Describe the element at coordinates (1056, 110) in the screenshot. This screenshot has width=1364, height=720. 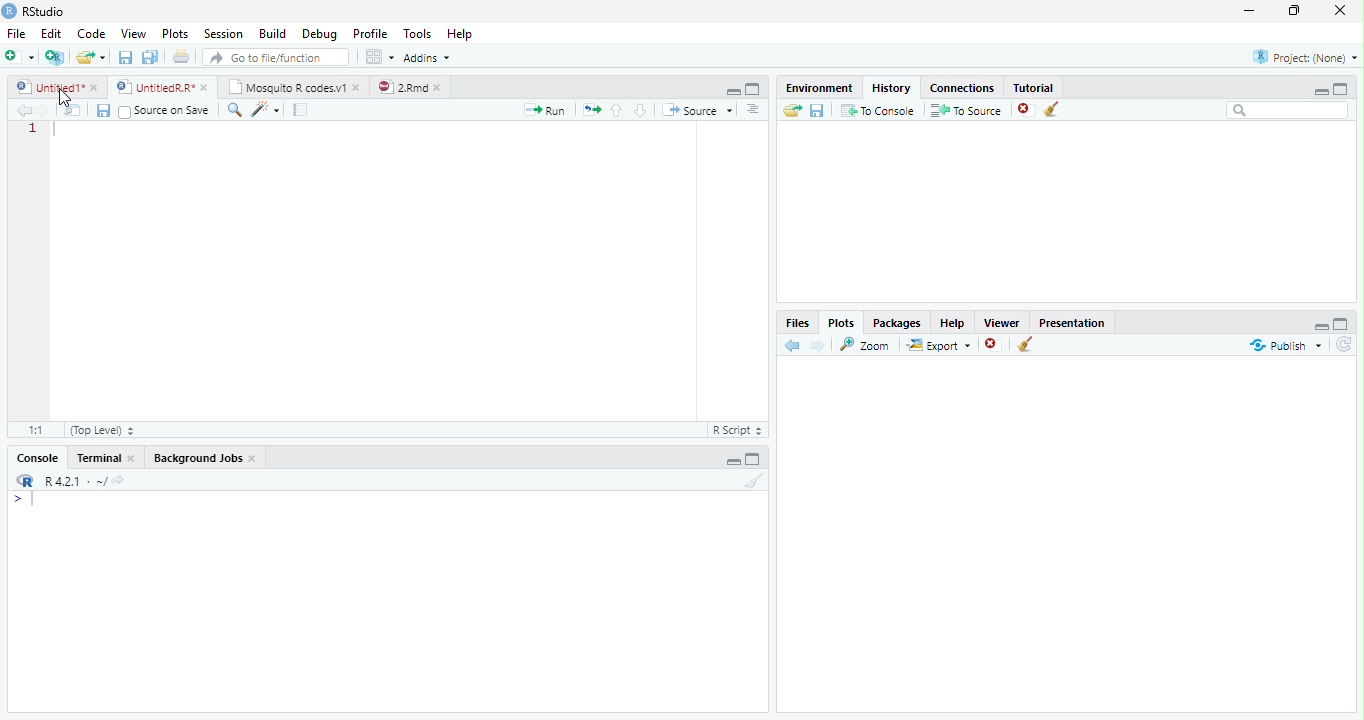
I see `Clear` at that location.